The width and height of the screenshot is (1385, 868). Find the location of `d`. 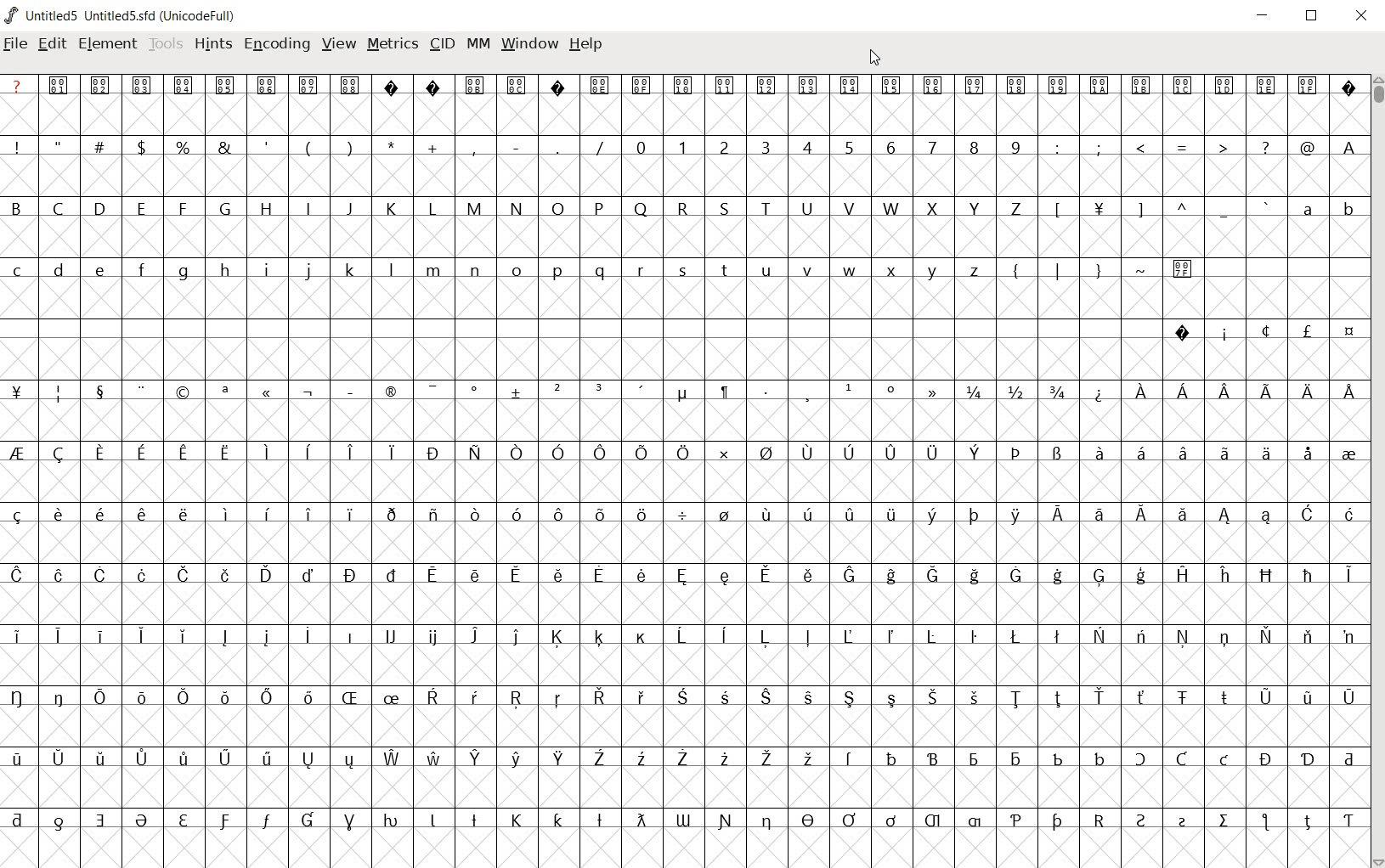

d is located at coordinates (59, 272).